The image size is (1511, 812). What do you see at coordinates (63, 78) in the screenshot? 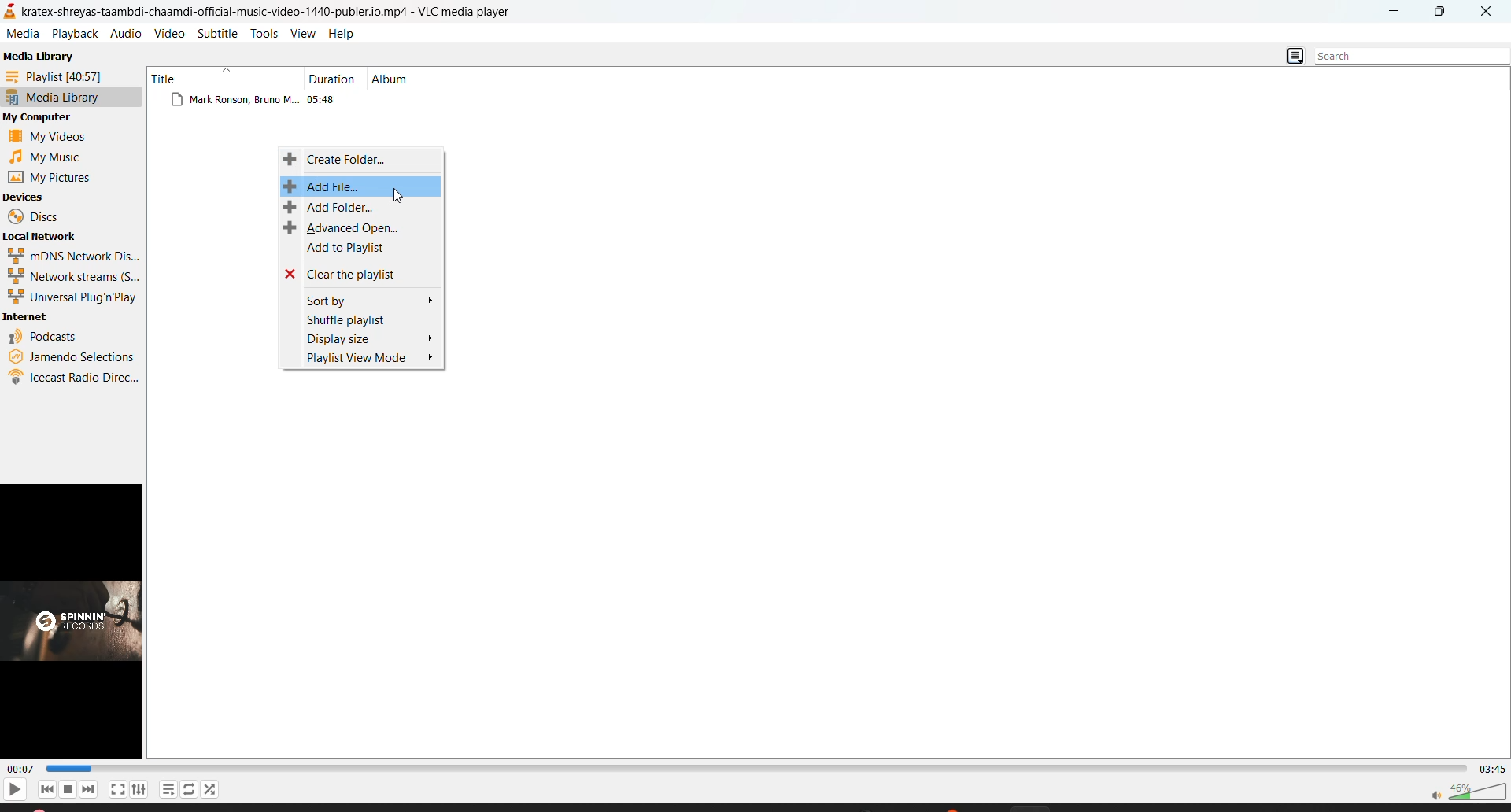
I see `playlist` at bounding box center [63, 78].